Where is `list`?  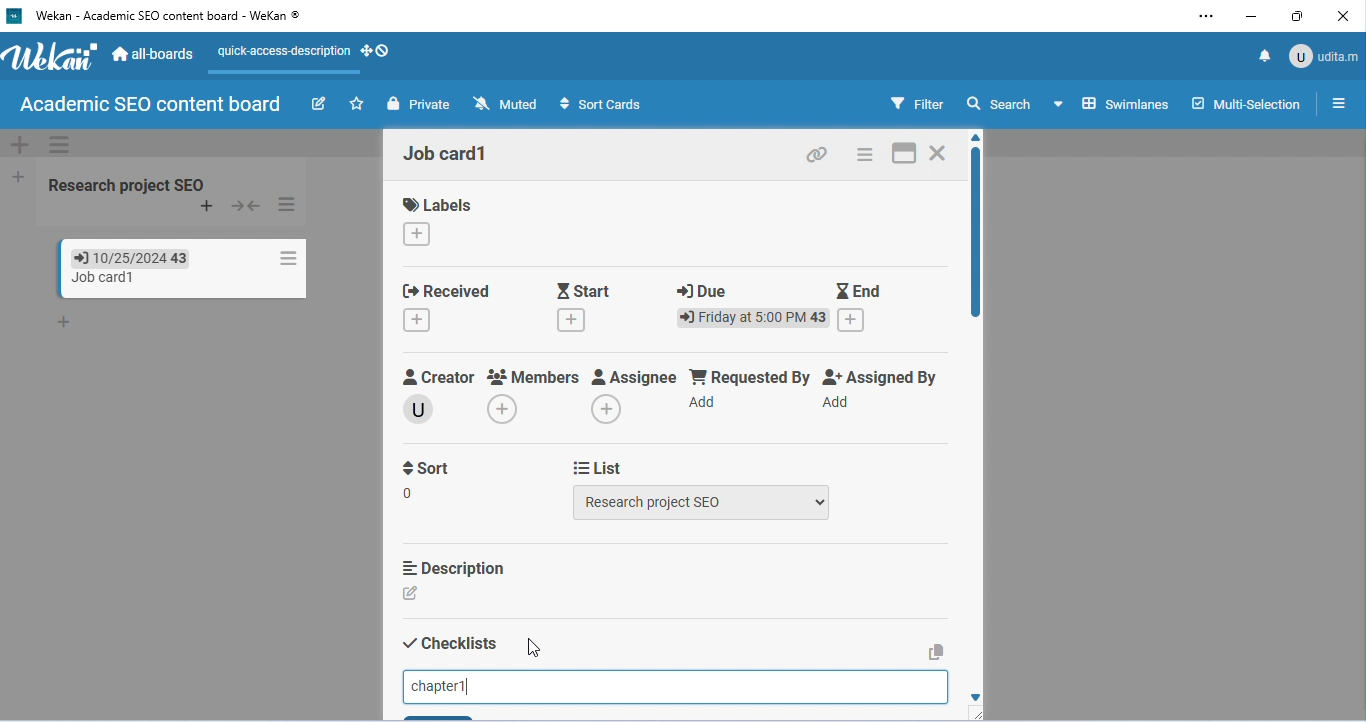
list is located at coordinates (600, 466).